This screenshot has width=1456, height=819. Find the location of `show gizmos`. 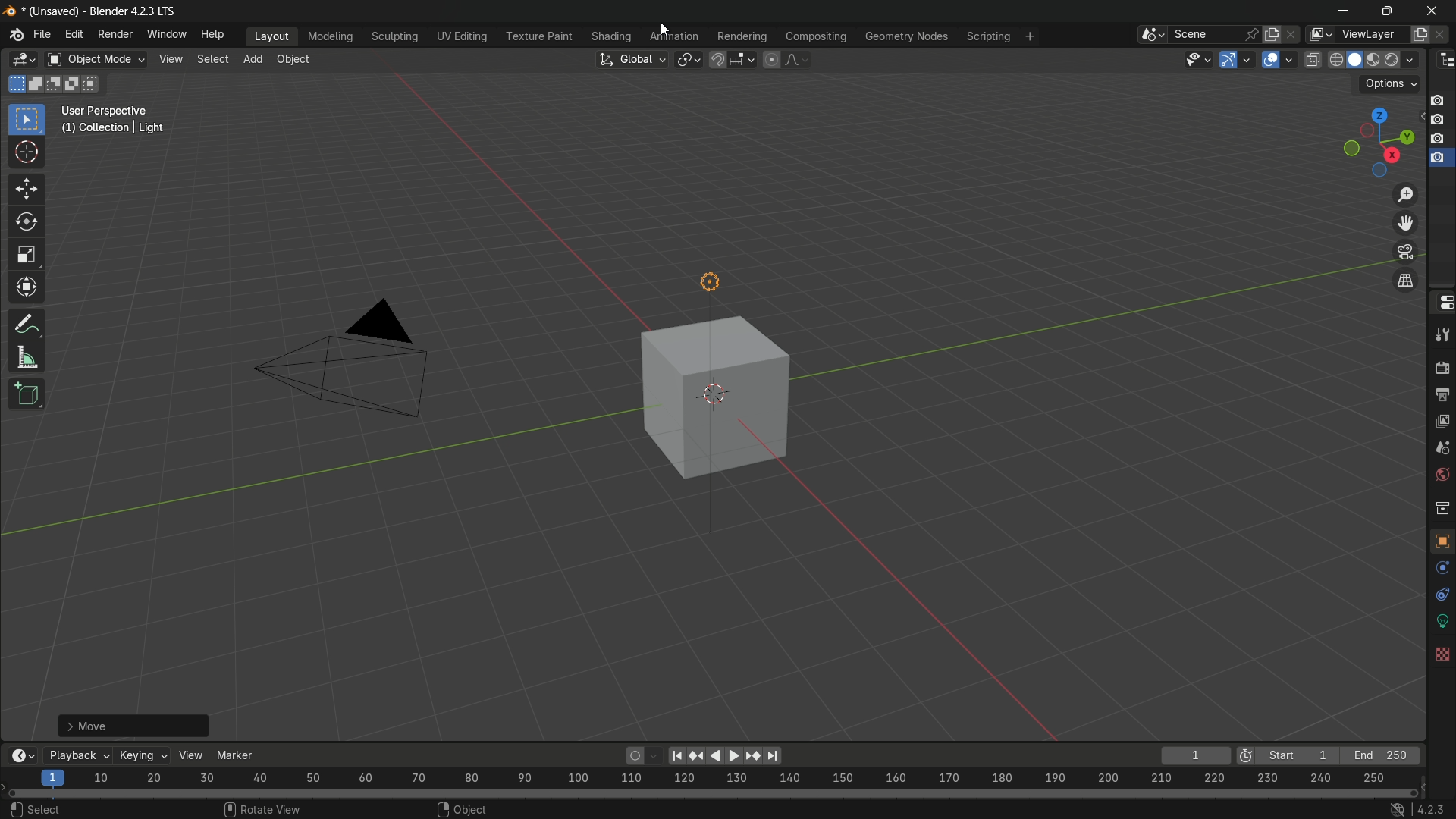

show gizmos is located at coordinates (1229, 59).